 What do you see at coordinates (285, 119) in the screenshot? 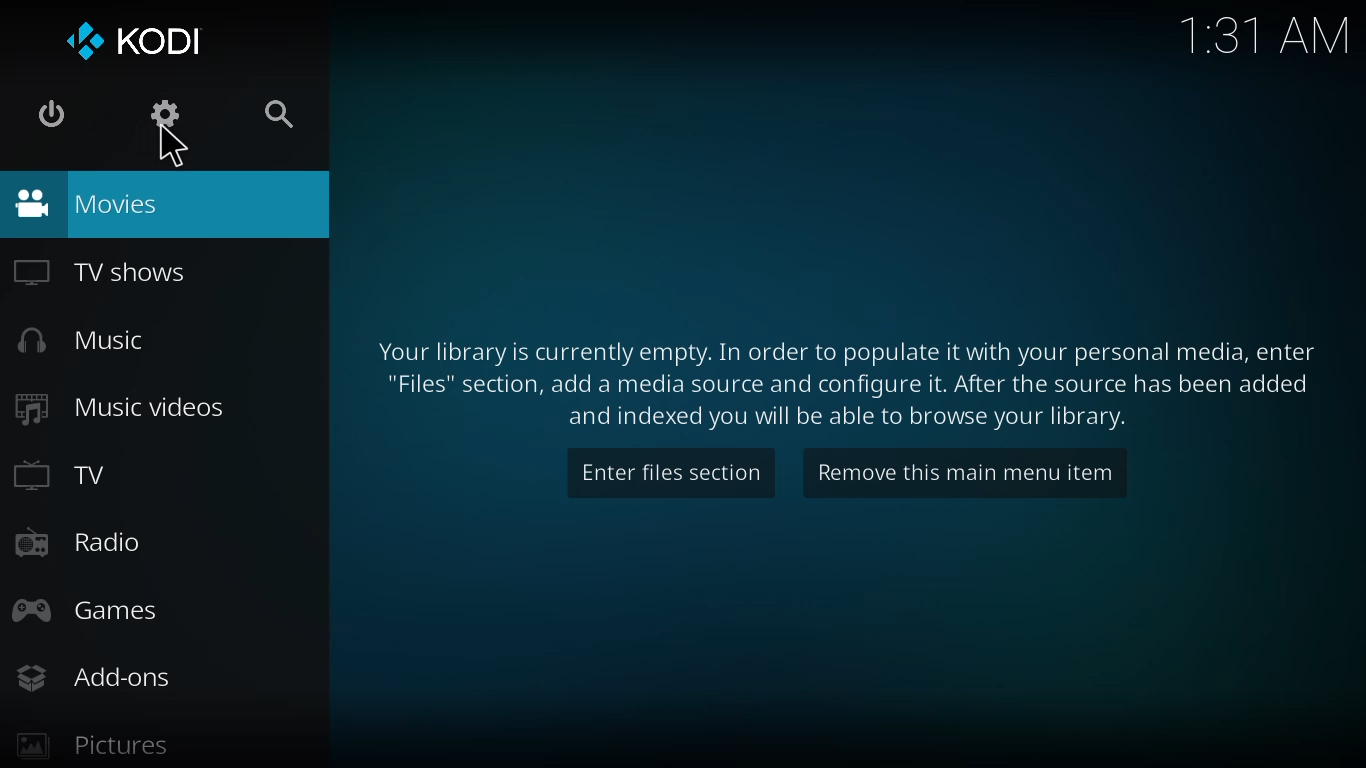
I see `search` at bounding box center [285, 119].